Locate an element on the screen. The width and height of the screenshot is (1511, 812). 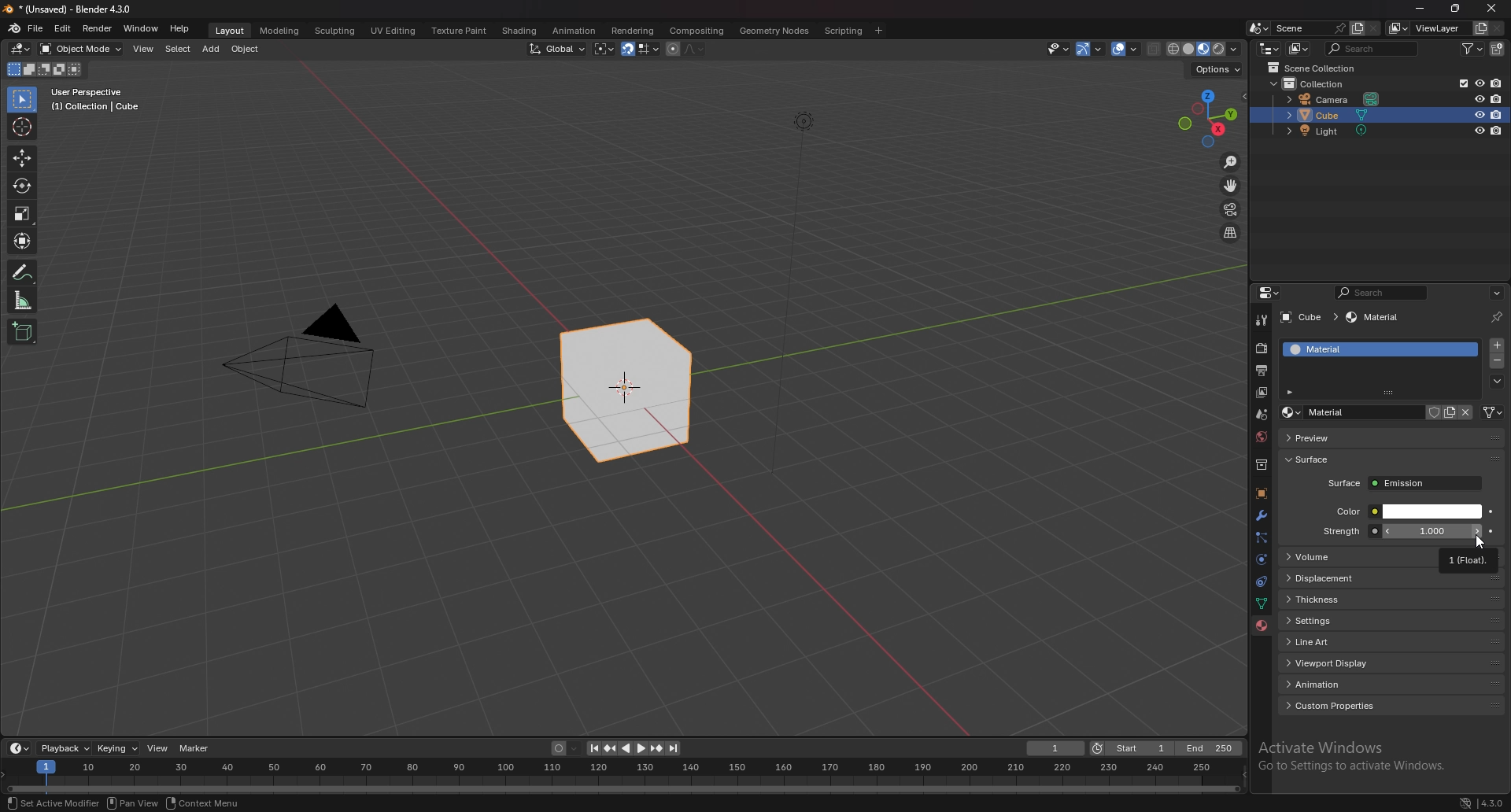
play animation is located at coordinates (633, 748).